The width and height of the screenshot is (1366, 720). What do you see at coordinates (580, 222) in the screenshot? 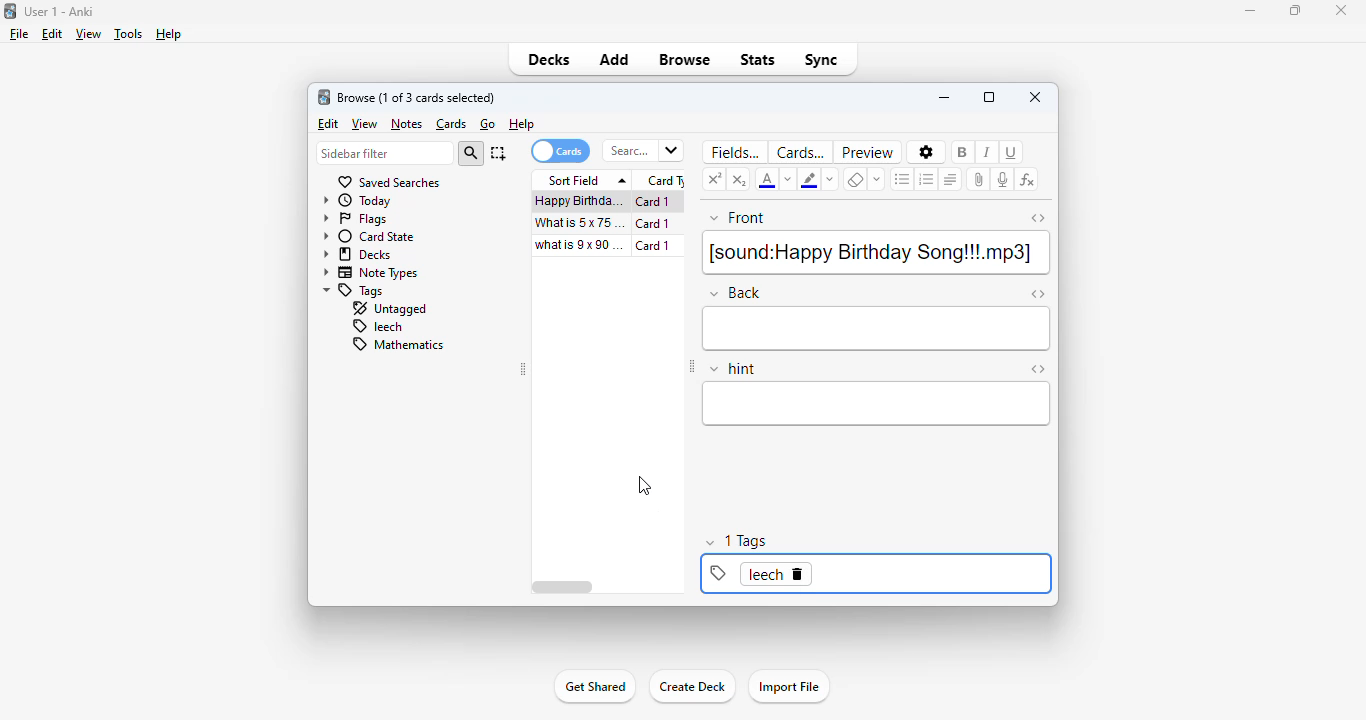
I see `what is 5x75=?` at bounding box center [580, 222].